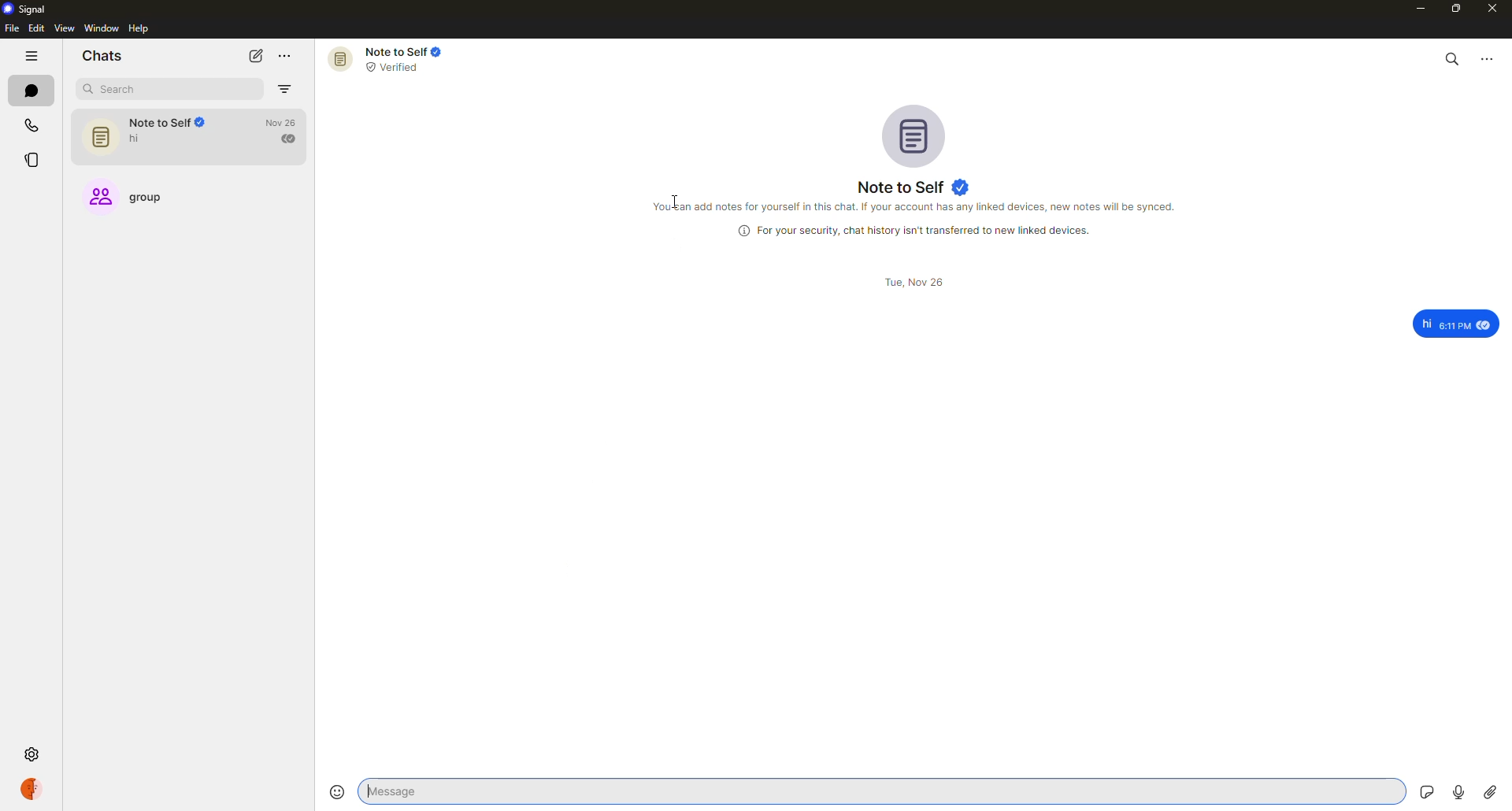 The image size is (1512, 811). I want to click on view, so click(62, 29).